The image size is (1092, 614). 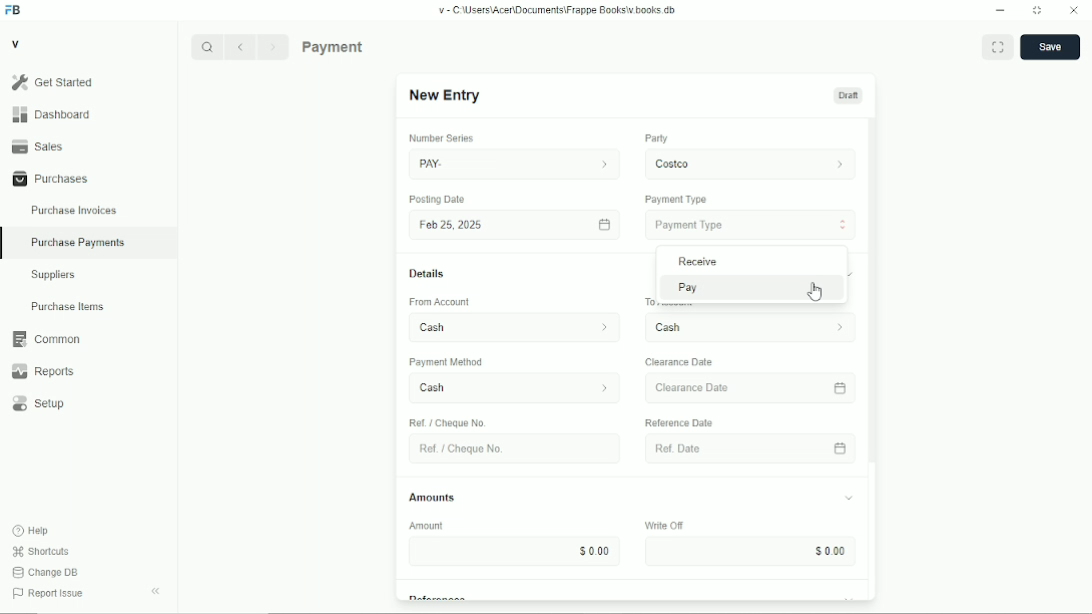 What do you see at coordinates (676, 199) in the screenshot?
I see `Payment Type` at bounding box center [676, 199].